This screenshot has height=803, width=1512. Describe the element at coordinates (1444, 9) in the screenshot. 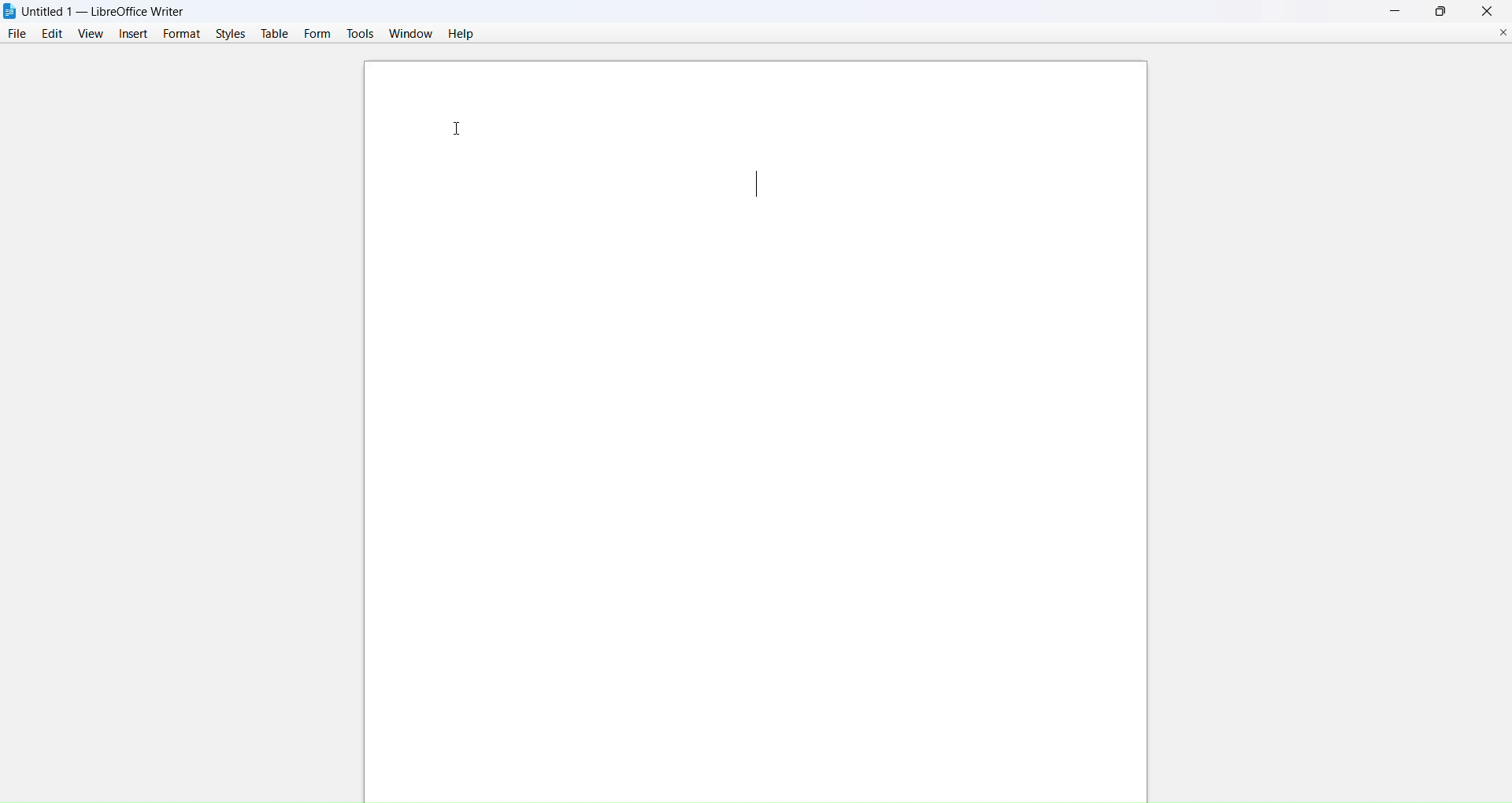

I see `maximize` at that location.